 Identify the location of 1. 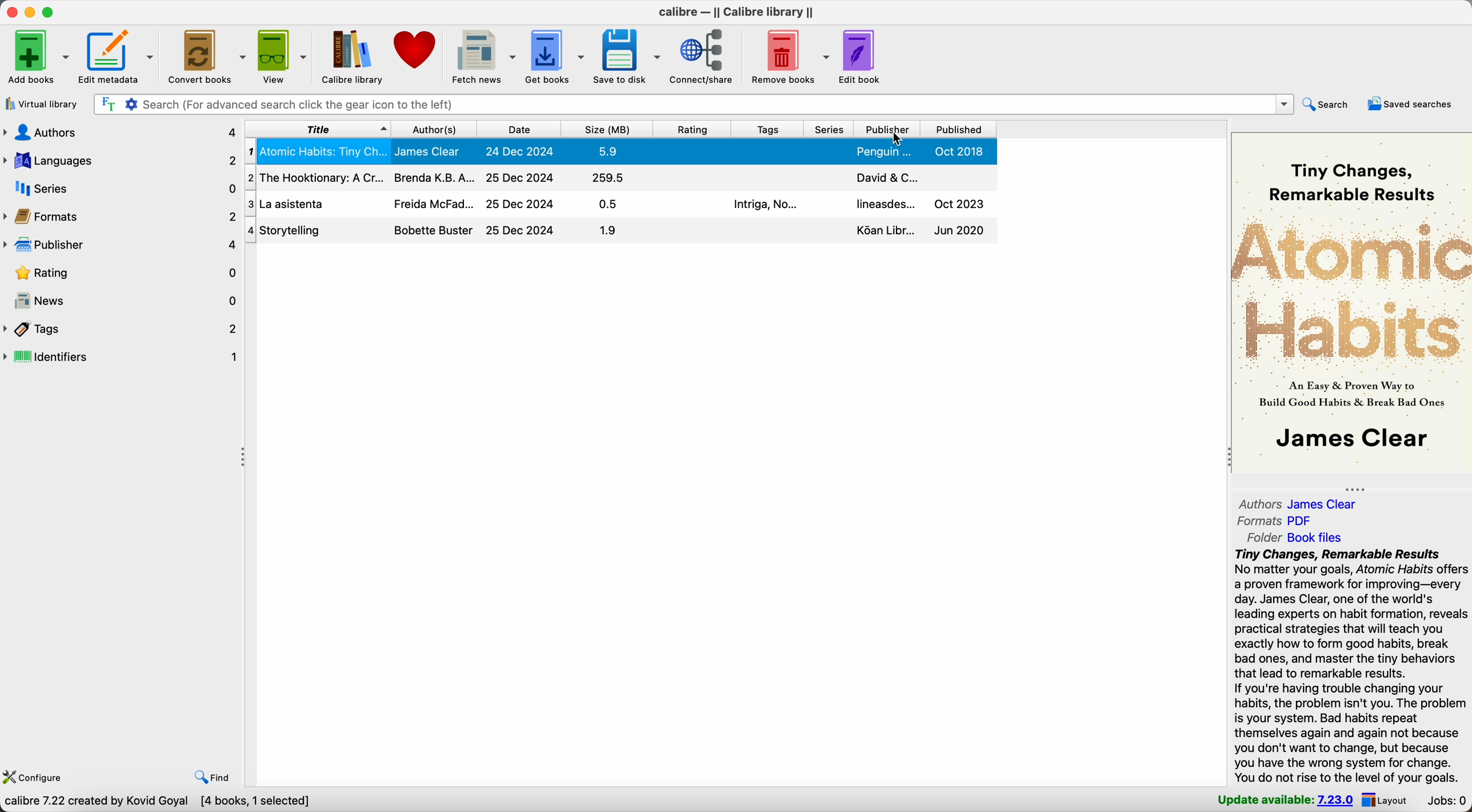
(250, 151).